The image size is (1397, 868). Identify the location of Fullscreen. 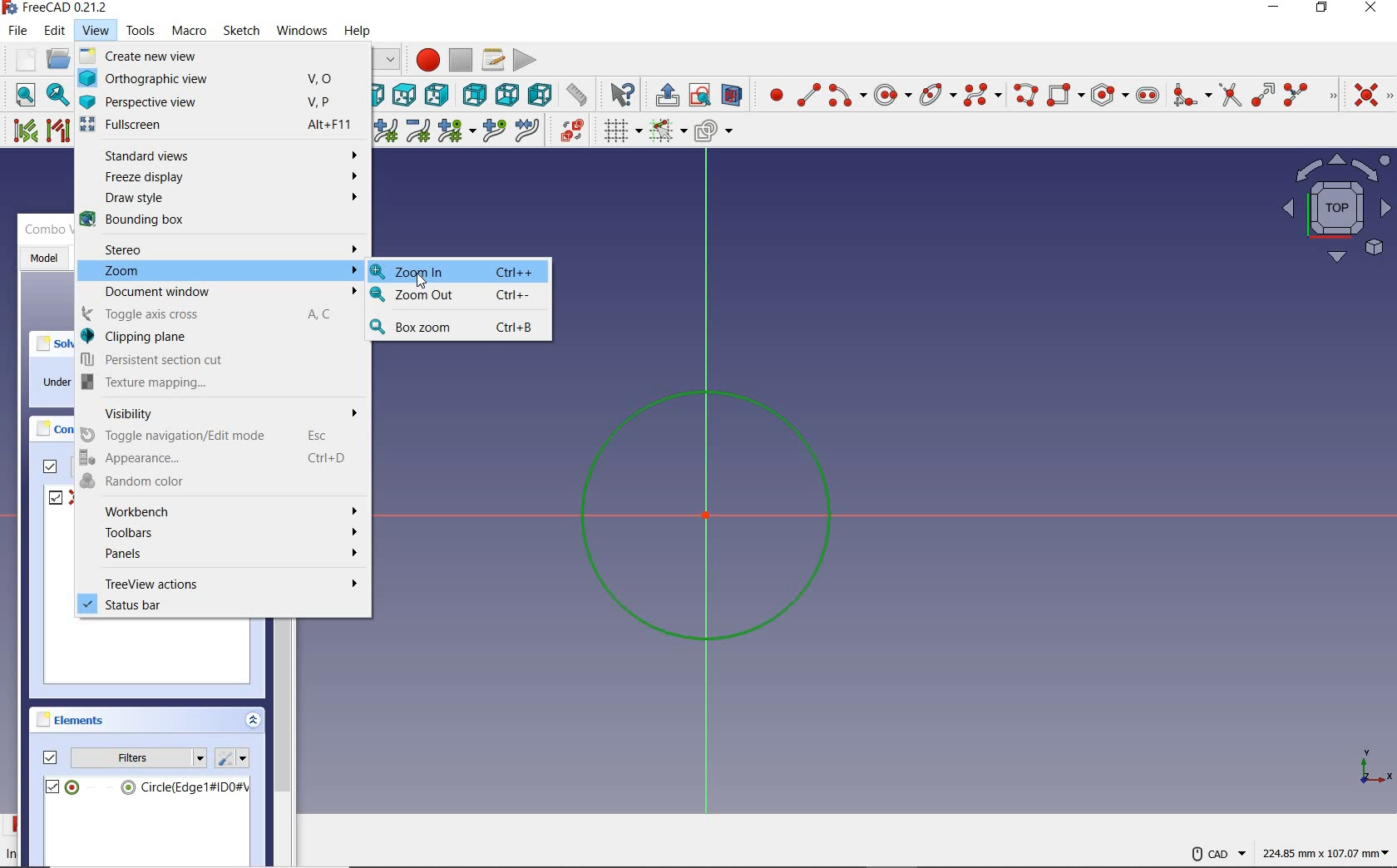
(210, 123).